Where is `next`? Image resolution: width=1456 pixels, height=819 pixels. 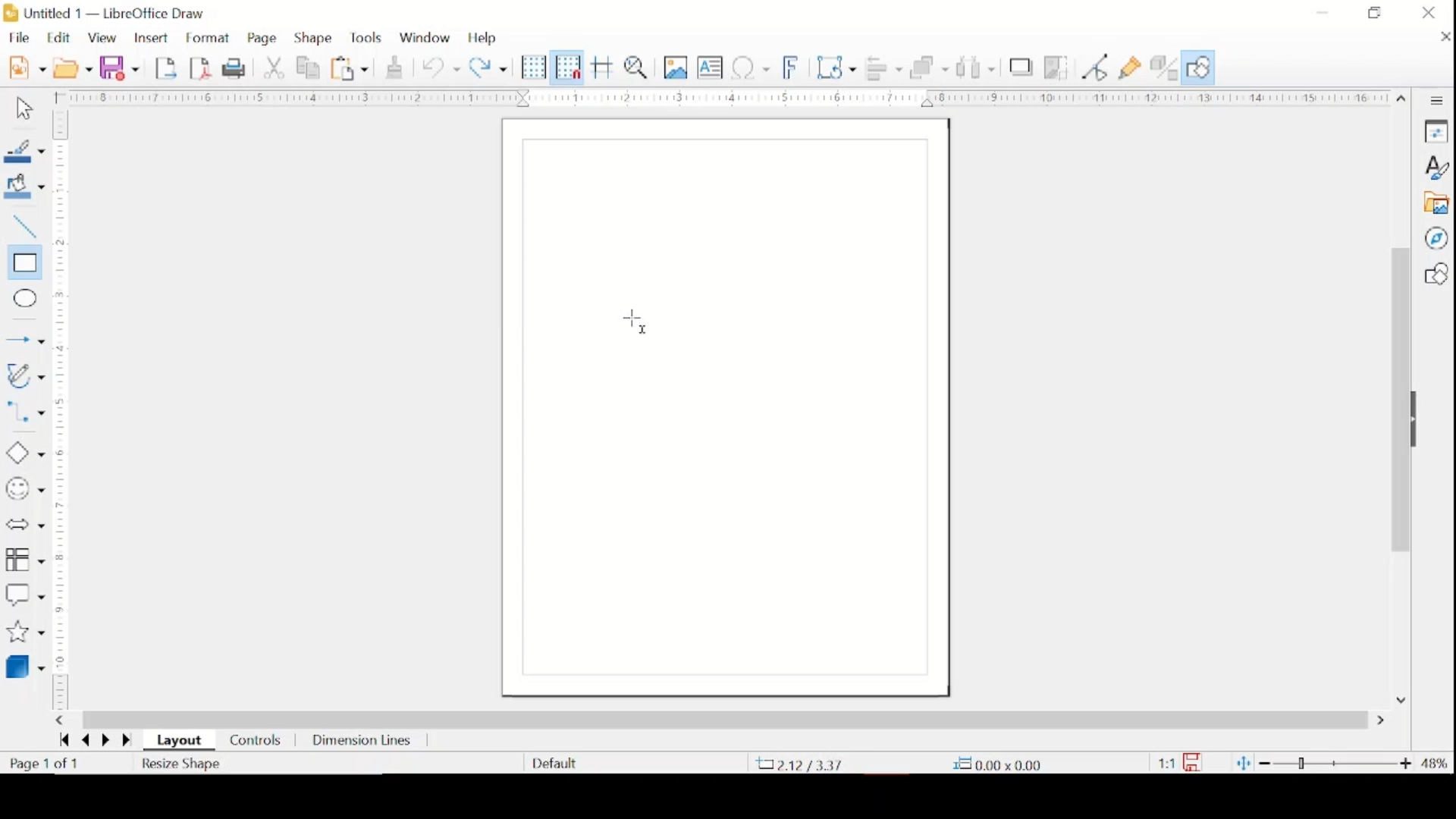 next is located at coordinates (104, 739).